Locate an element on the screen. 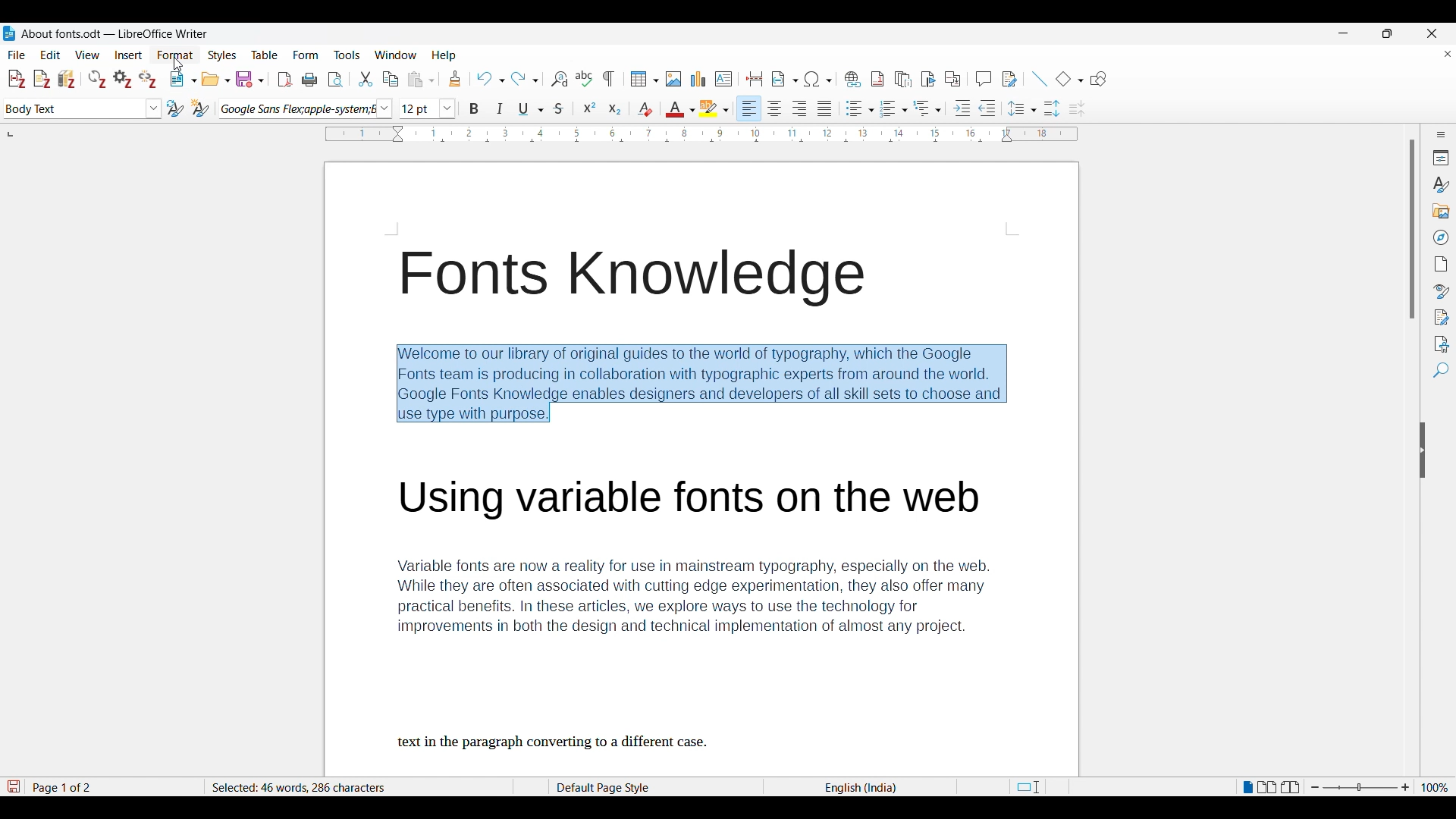  Help menu is located at coordinates (444, 55).